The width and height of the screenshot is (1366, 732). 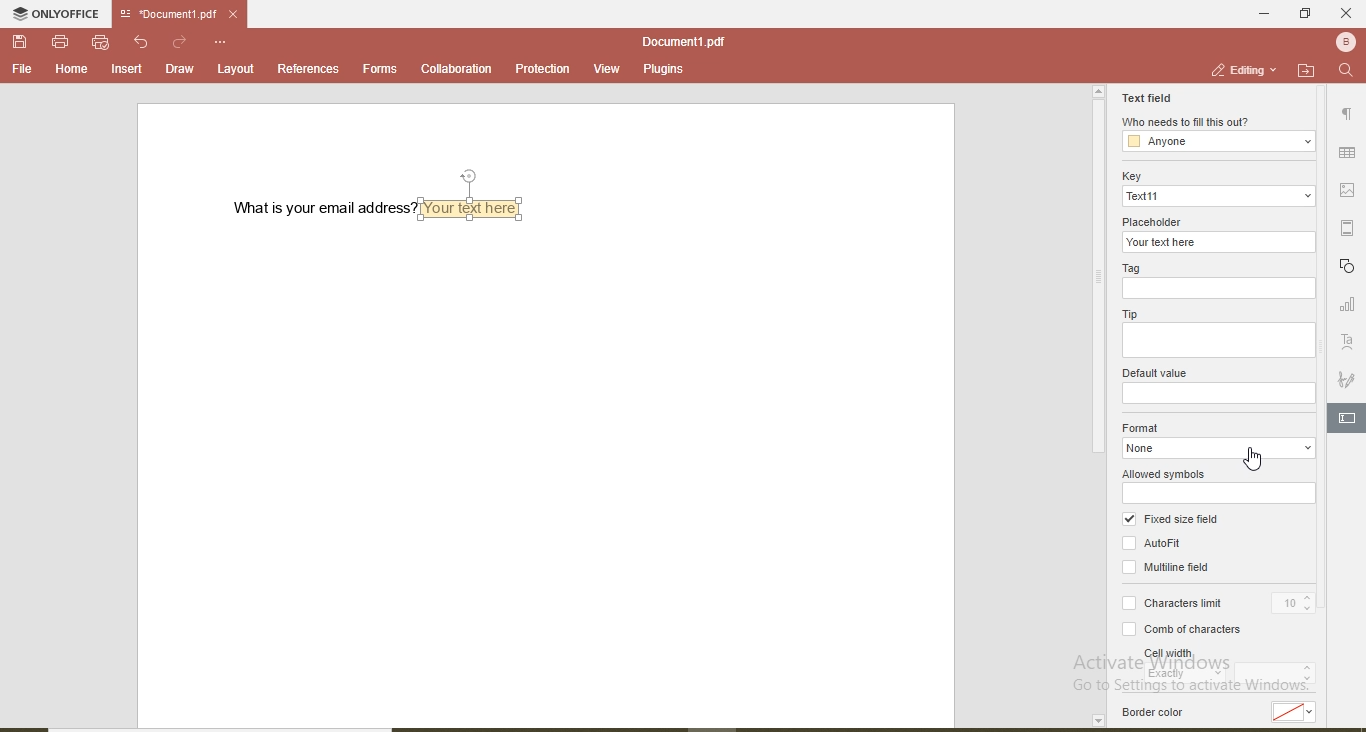 What do you see at coordinates (68, 69) in the screenshot?
I see `home` at bounding box center [68, 69].